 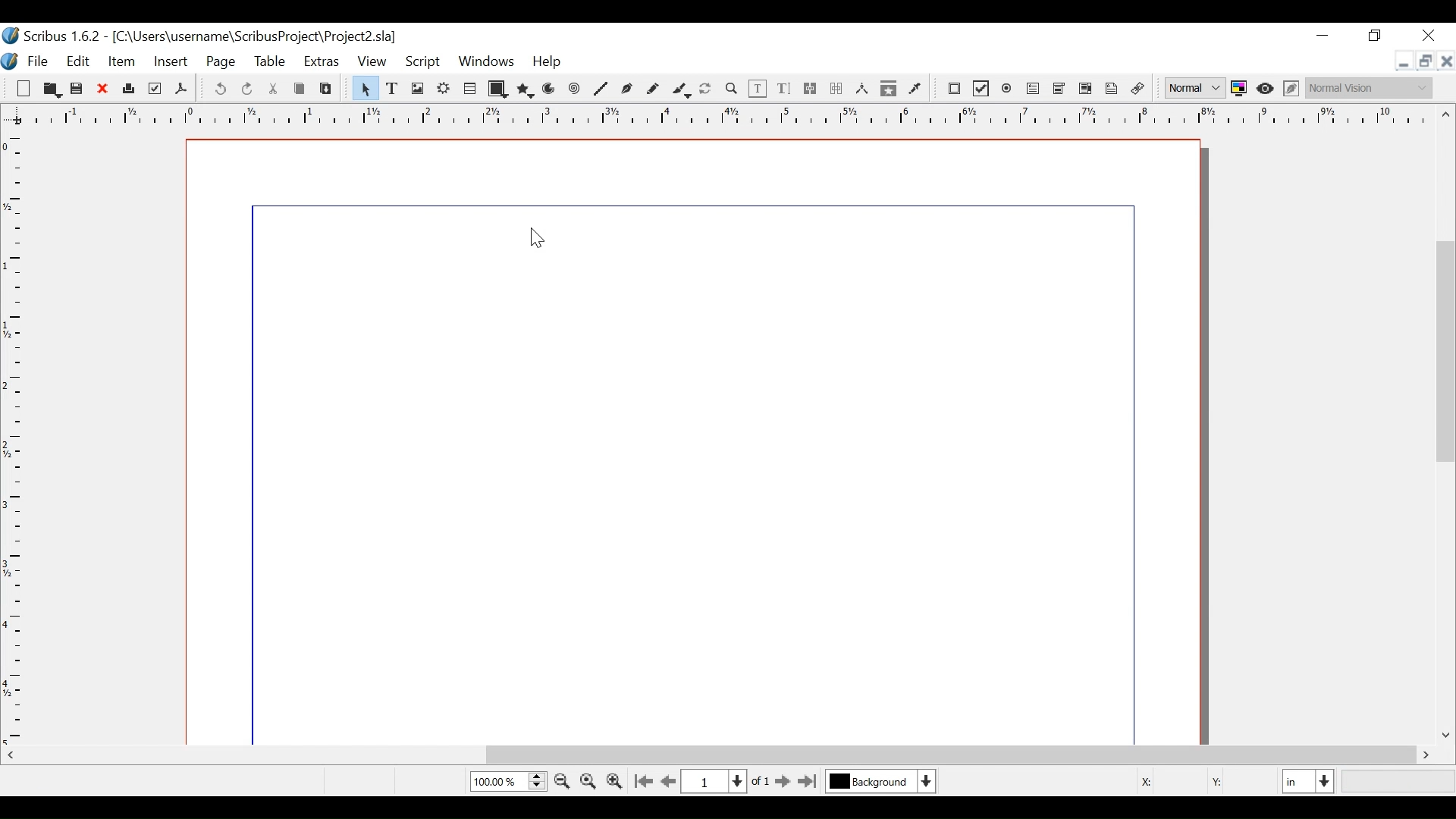 I want to click on Current Page, so click(x=714, y=781).